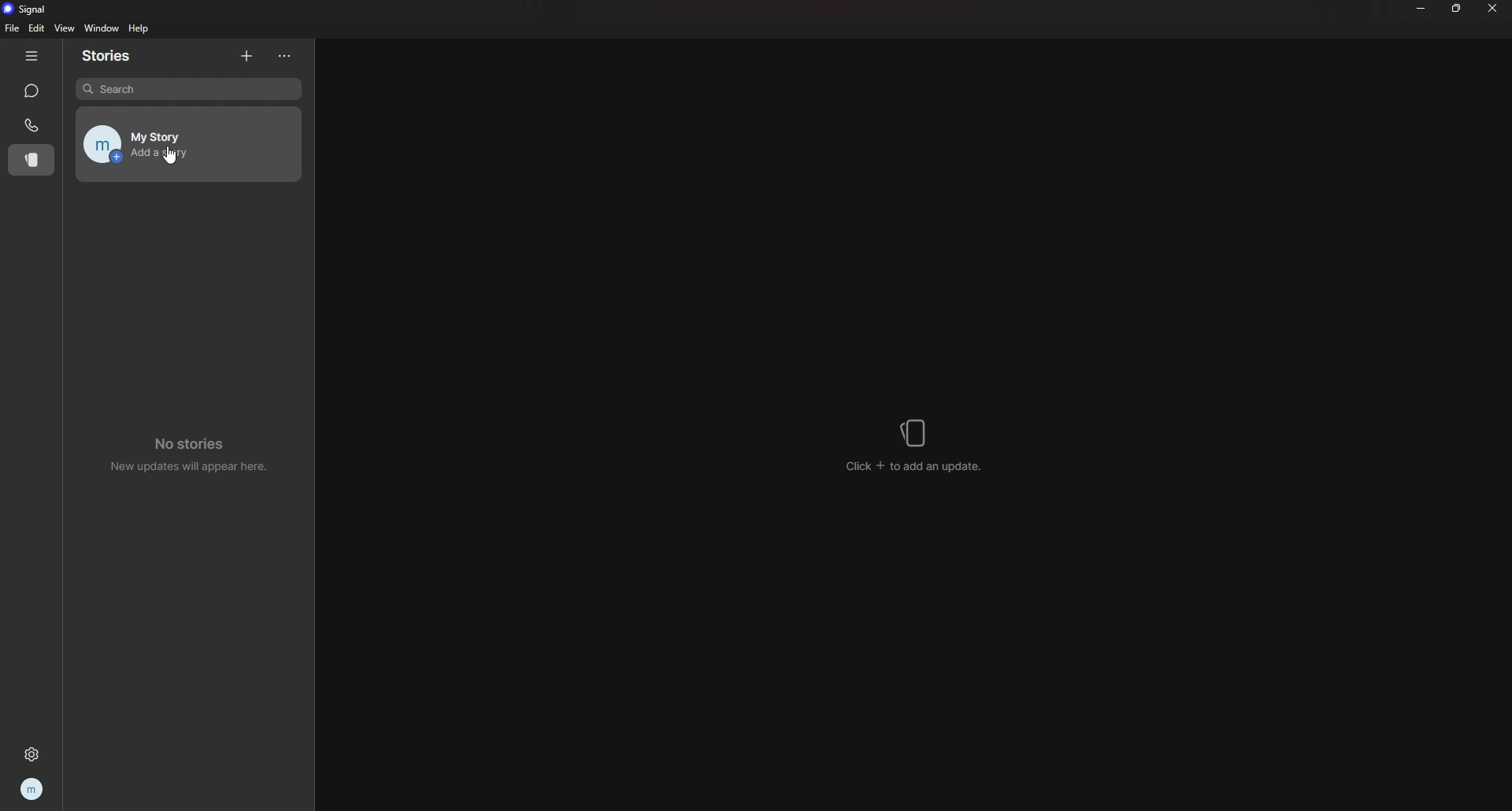  What do you see at coordinates (1421, 8) in the screenshot?
I see `minimize` at bounding box center [1421, 8].